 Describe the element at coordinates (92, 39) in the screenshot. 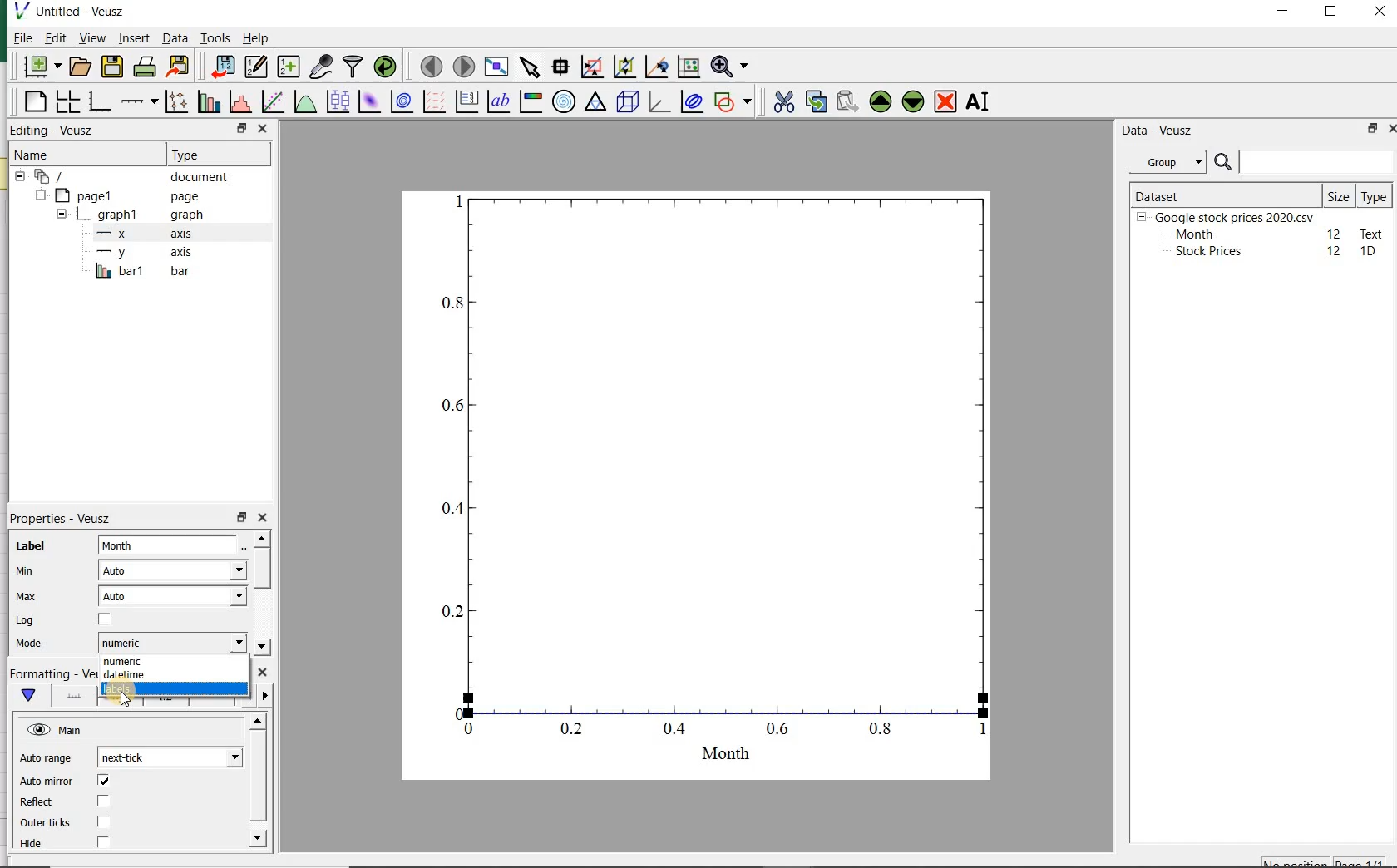

I see `view` at that location.